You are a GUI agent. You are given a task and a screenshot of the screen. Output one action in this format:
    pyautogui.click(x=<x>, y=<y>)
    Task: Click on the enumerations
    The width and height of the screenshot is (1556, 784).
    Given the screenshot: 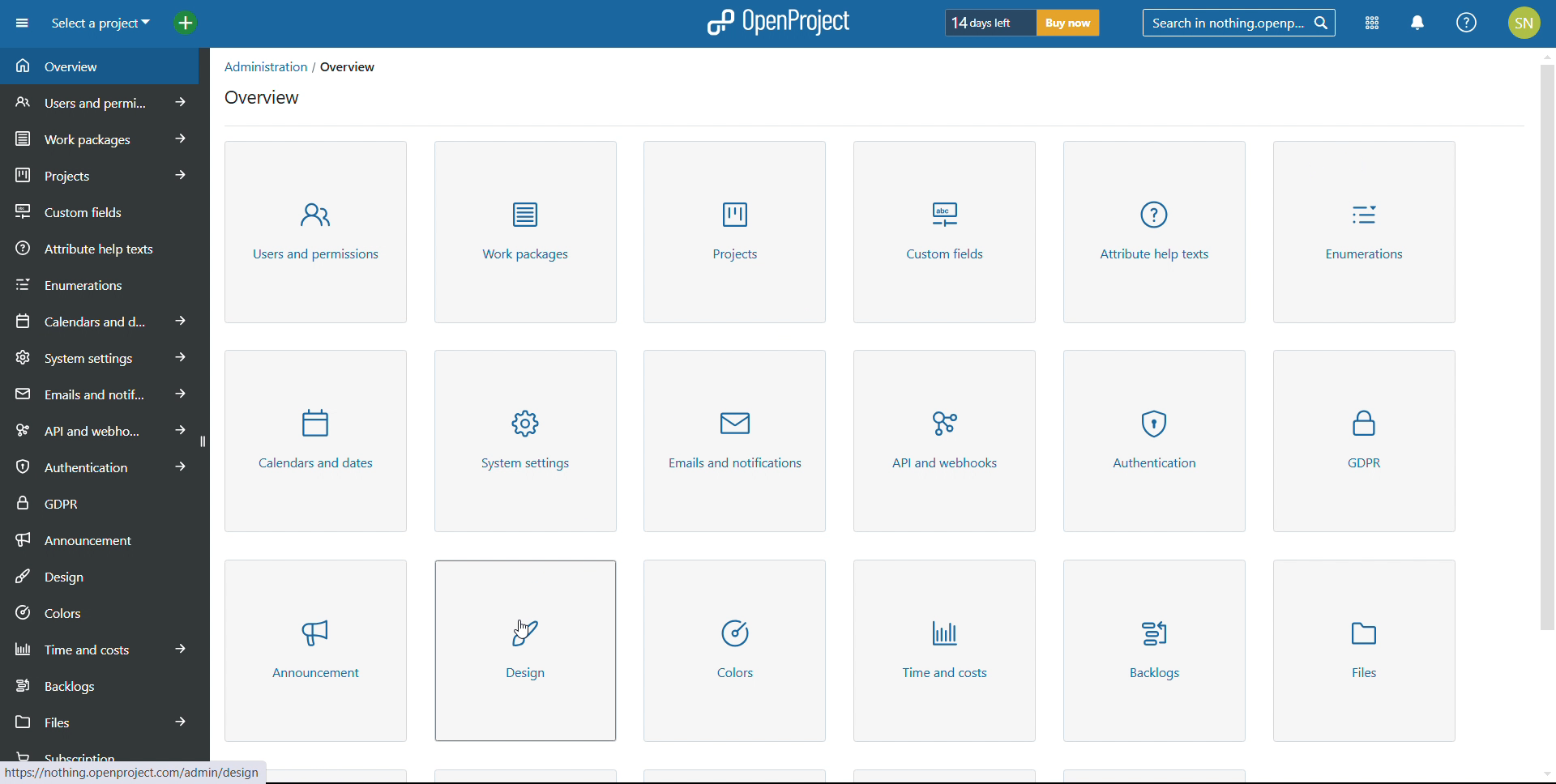 What is the action you would take?
    pyautogui.click(x=105, y=282)
    